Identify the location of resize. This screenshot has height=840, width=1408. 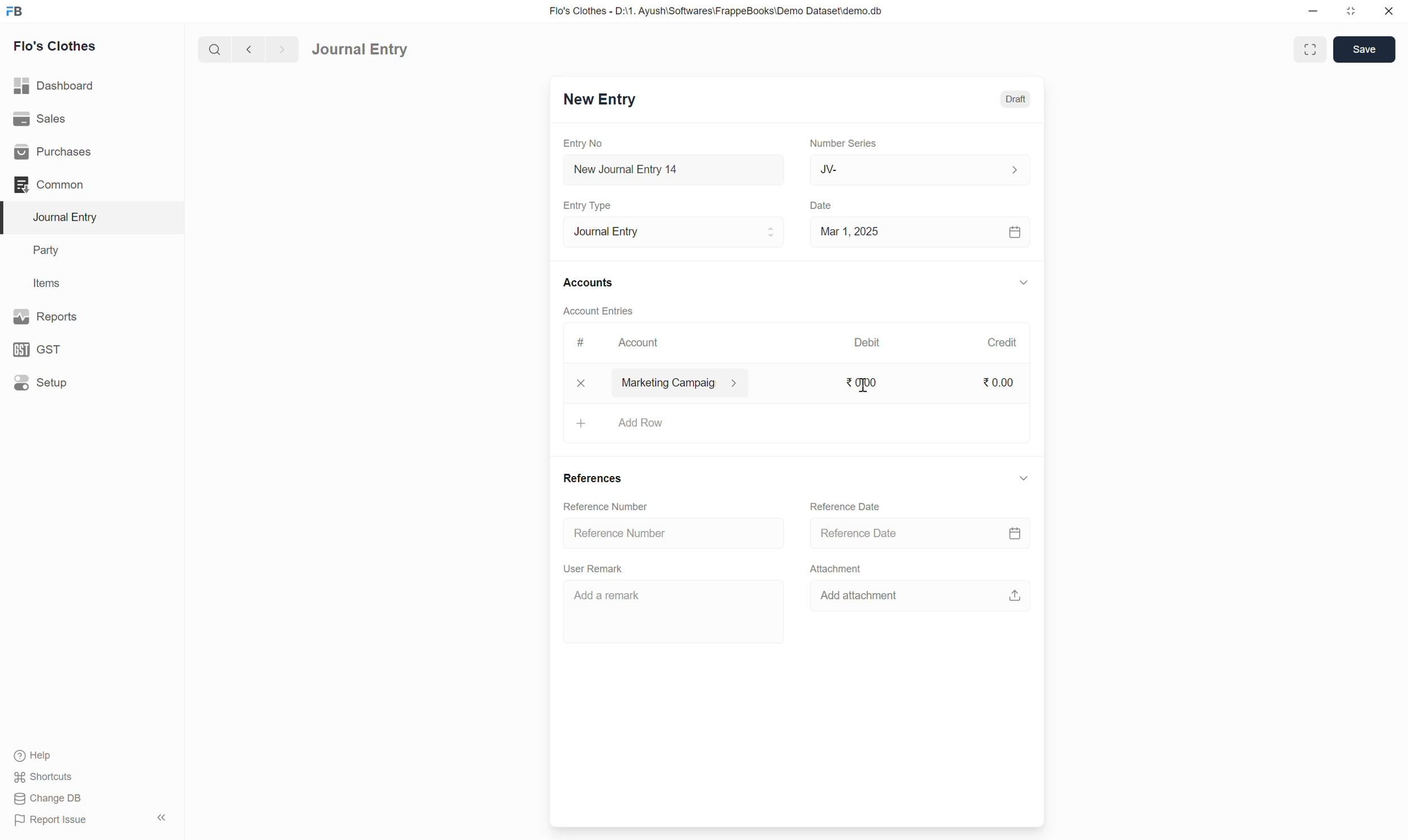
(1349, 11).